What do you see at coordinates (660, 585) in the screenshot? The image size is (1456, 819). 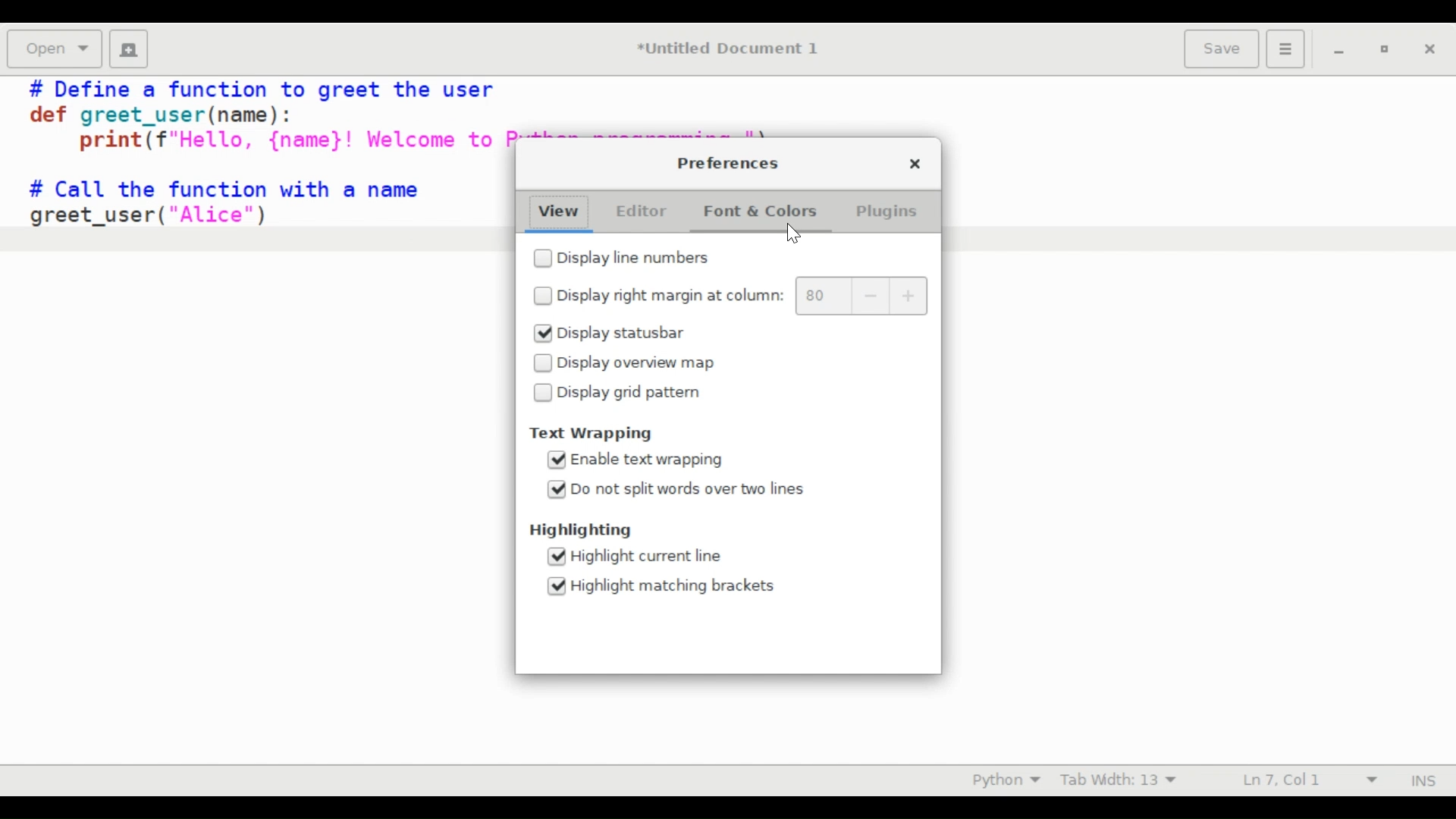 I see `(un)check Highlight matching brackets` at bounding box center [660, 585].